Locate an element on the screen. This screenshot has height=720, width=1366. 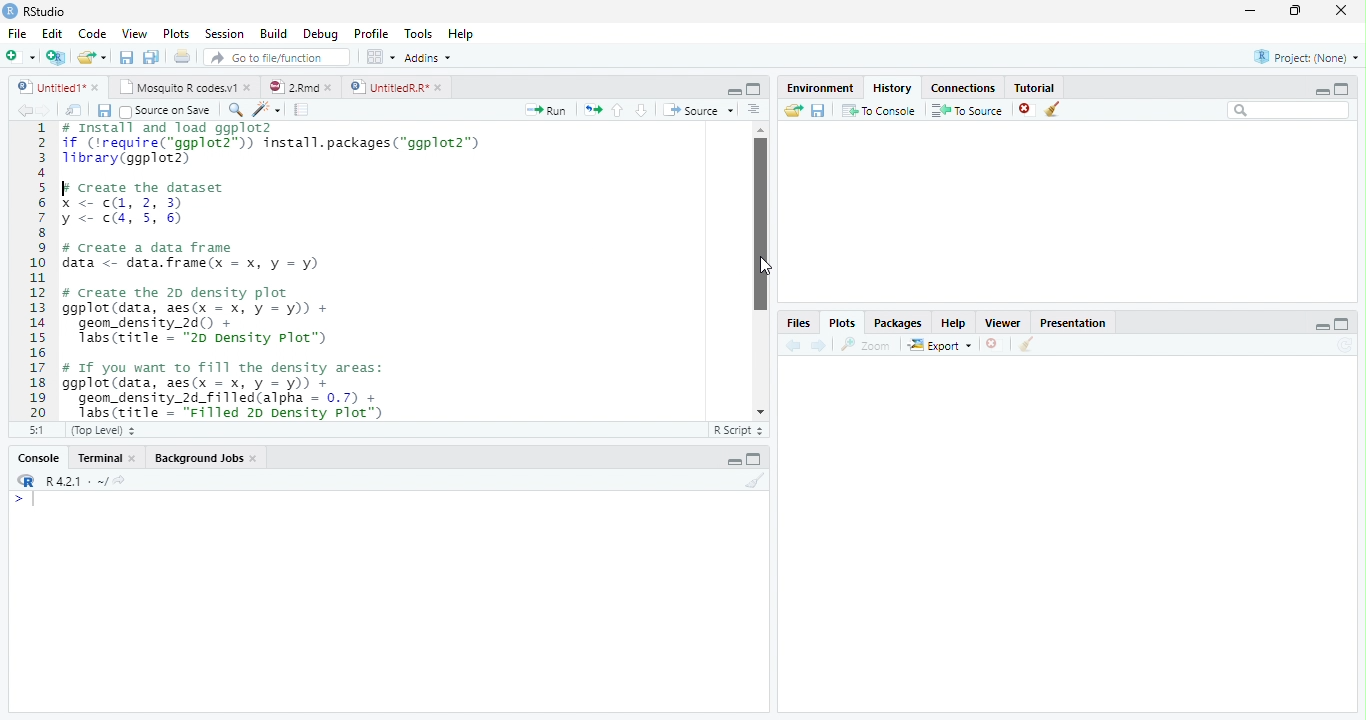
next is located at coordinates (52, 112).